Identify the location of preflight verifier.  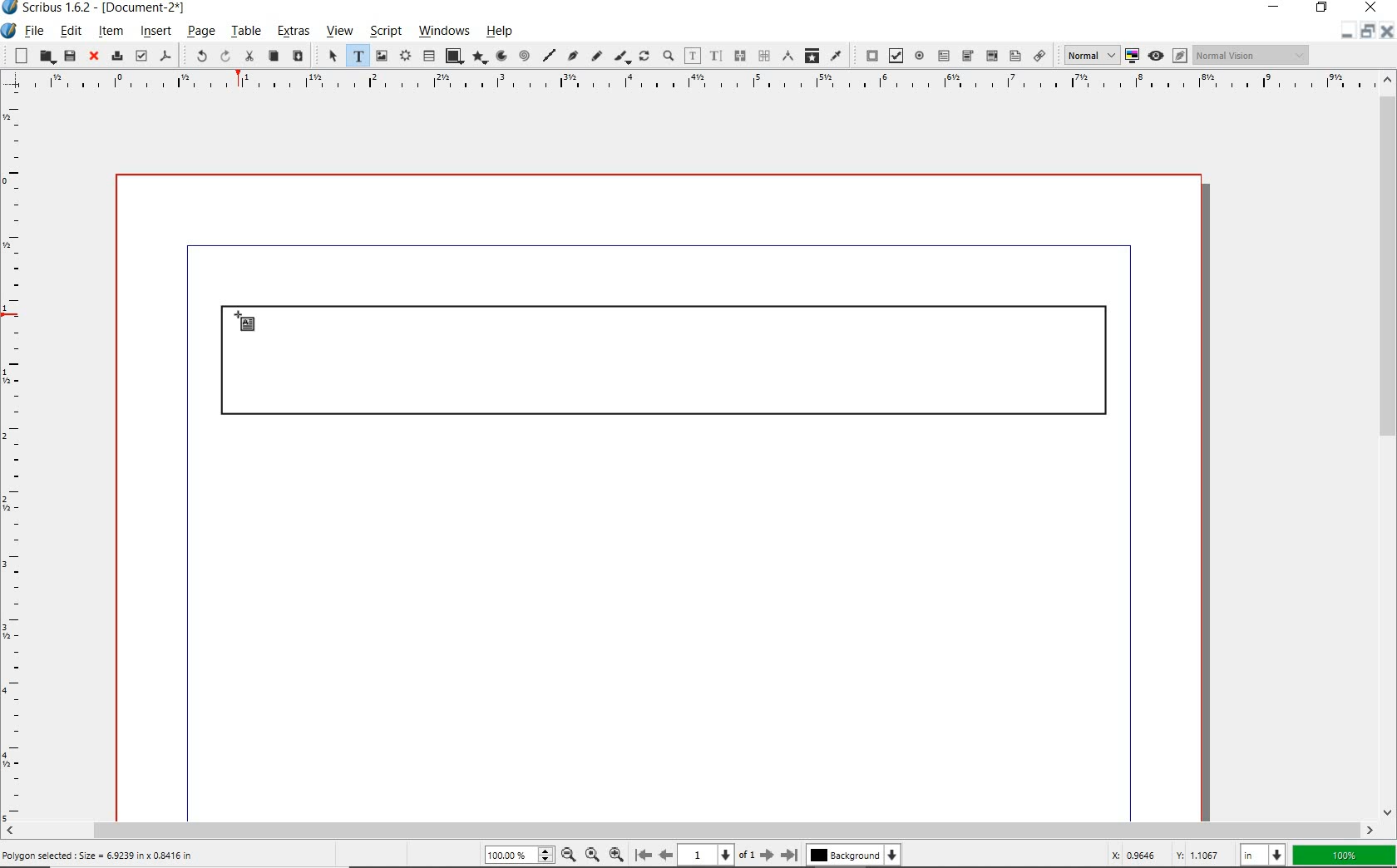
(141, 56).